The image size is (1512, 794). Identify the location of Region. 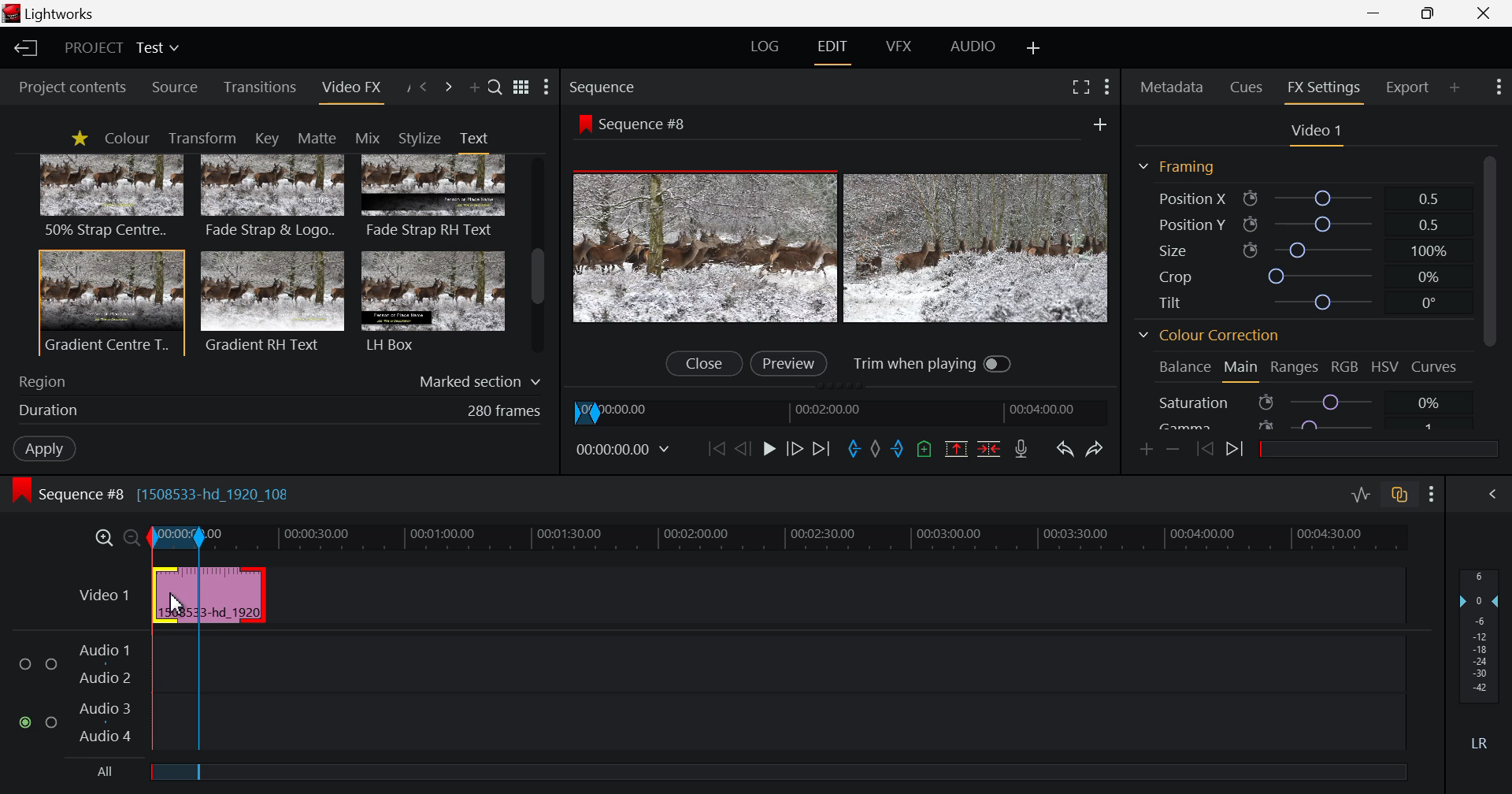
(280, 378).